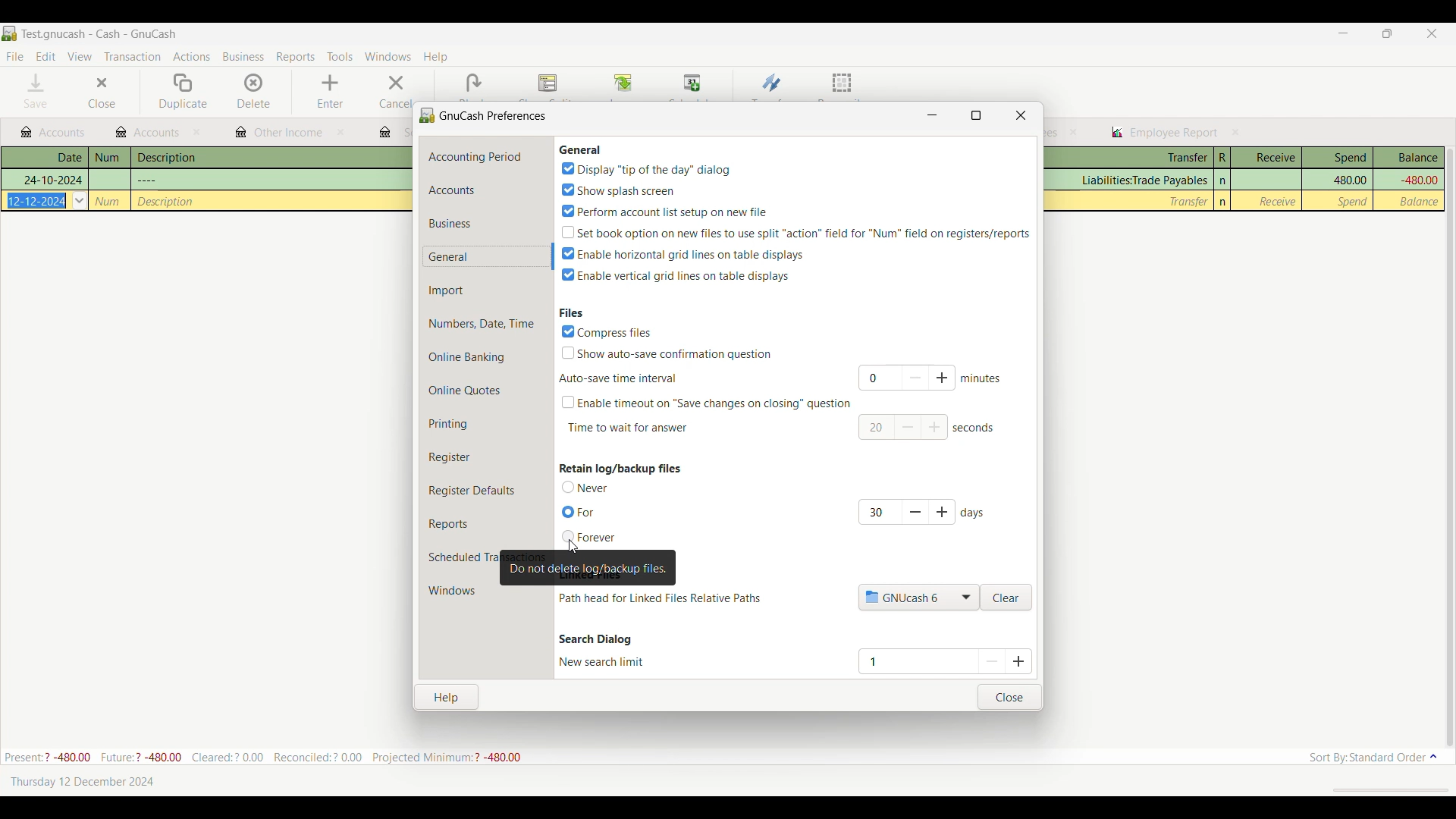 This screenshot has height=819, width=1456. I want to click on show, so click(617, 189).